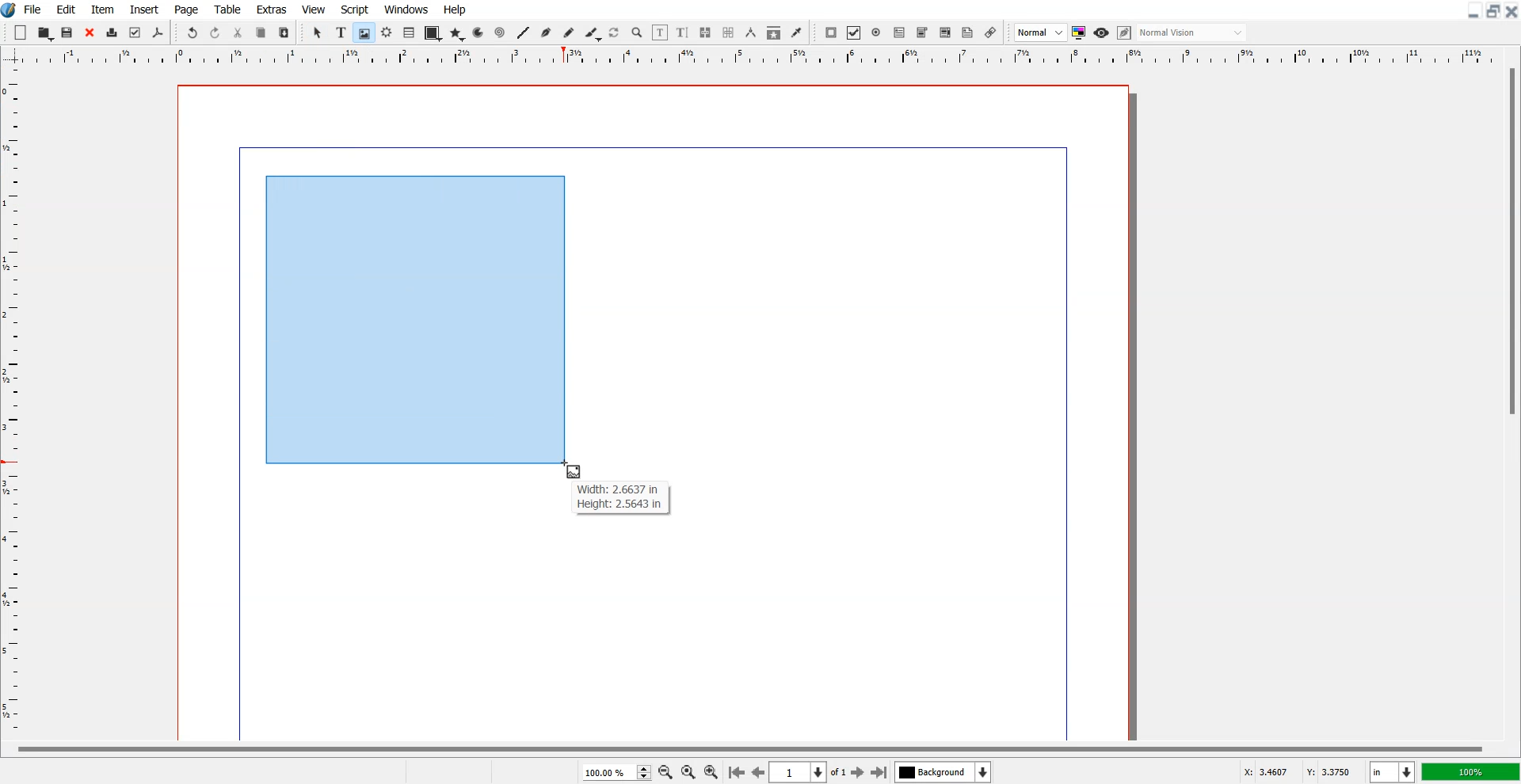  Describe the element at coordinates (899, 32) in the screenshot. I see `PDF Text Field` at that location.